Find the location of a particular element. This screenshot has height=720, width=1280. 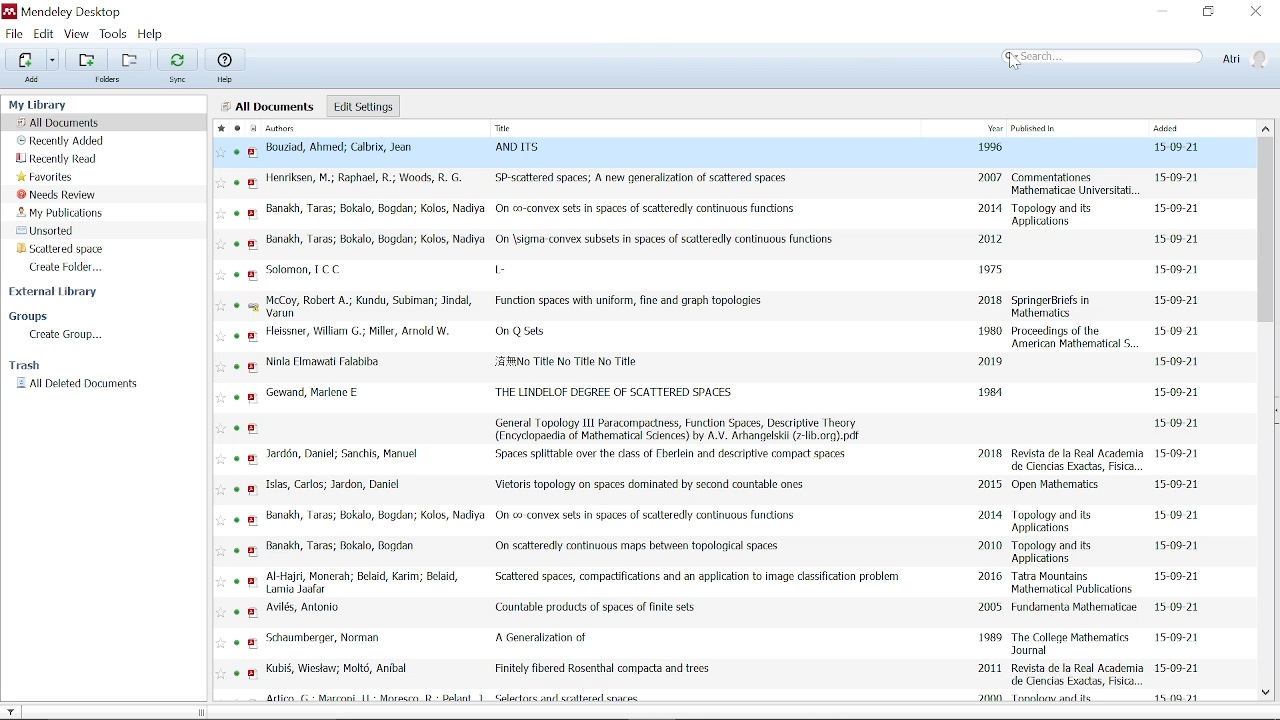

Tools is located at coordinates (115, 34).